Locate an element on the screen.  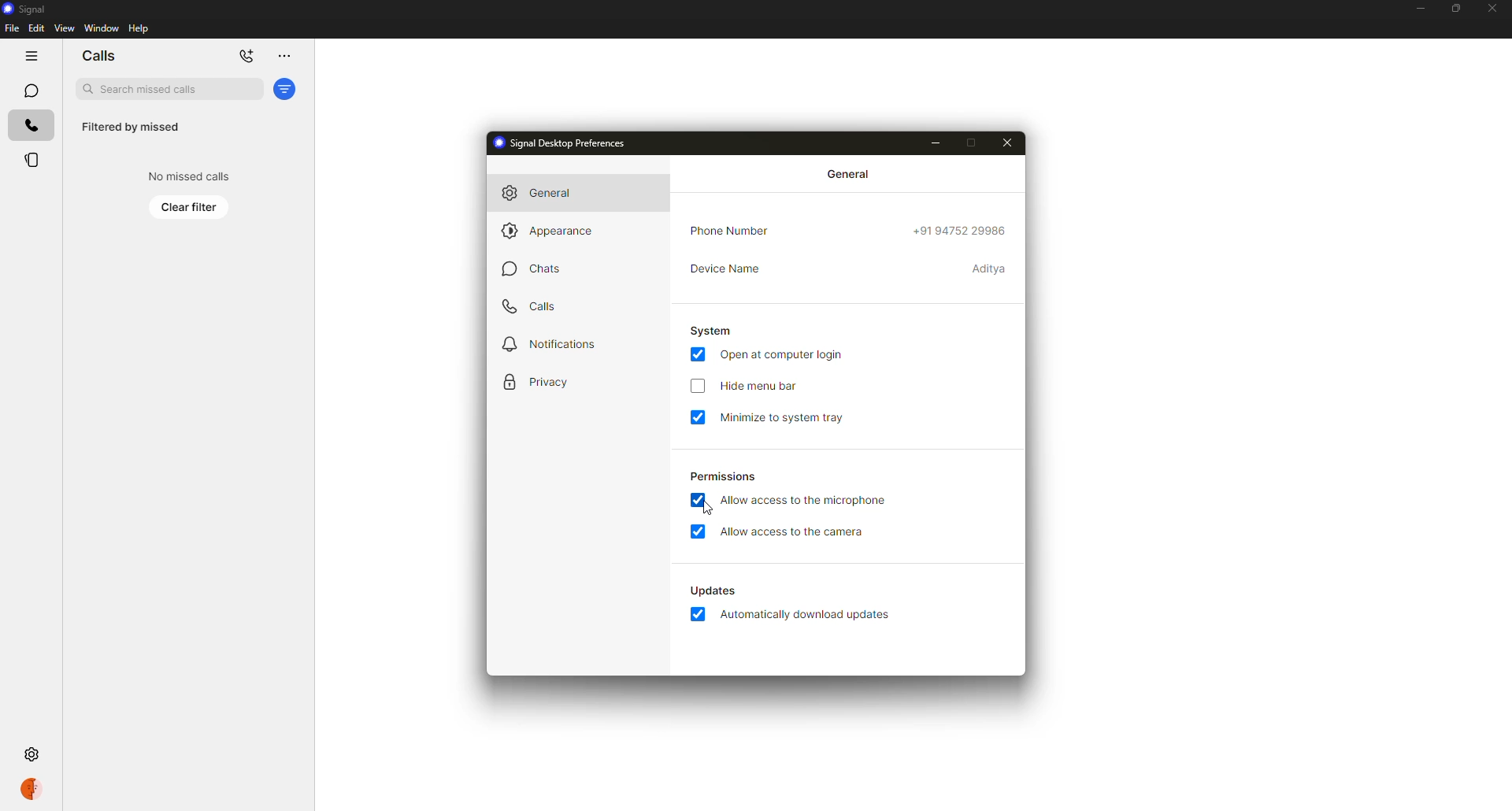
general is located at coordinates (851, 173).